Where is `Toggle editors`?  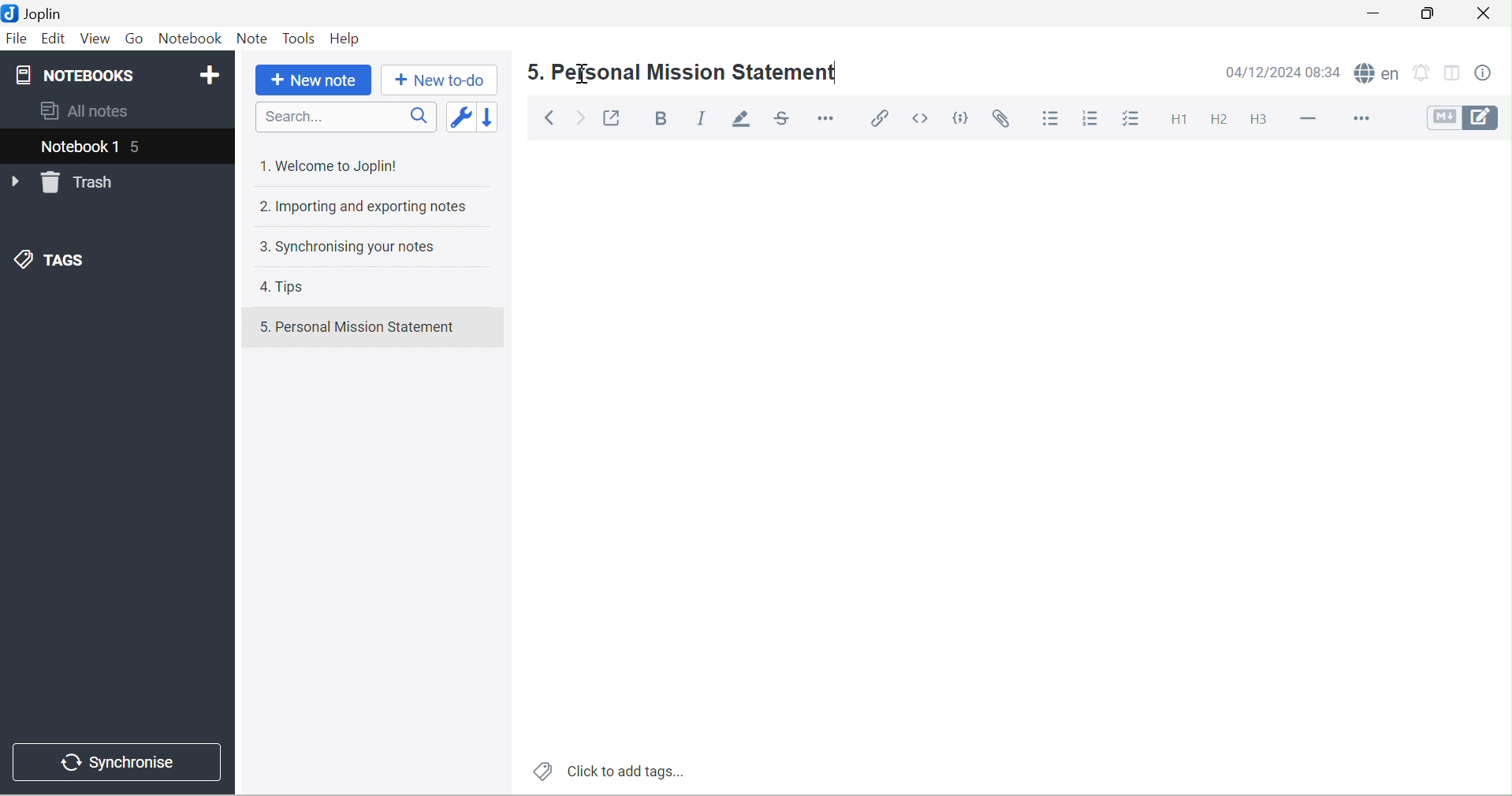 Toggle editors is located at coordinates (1462, 117).